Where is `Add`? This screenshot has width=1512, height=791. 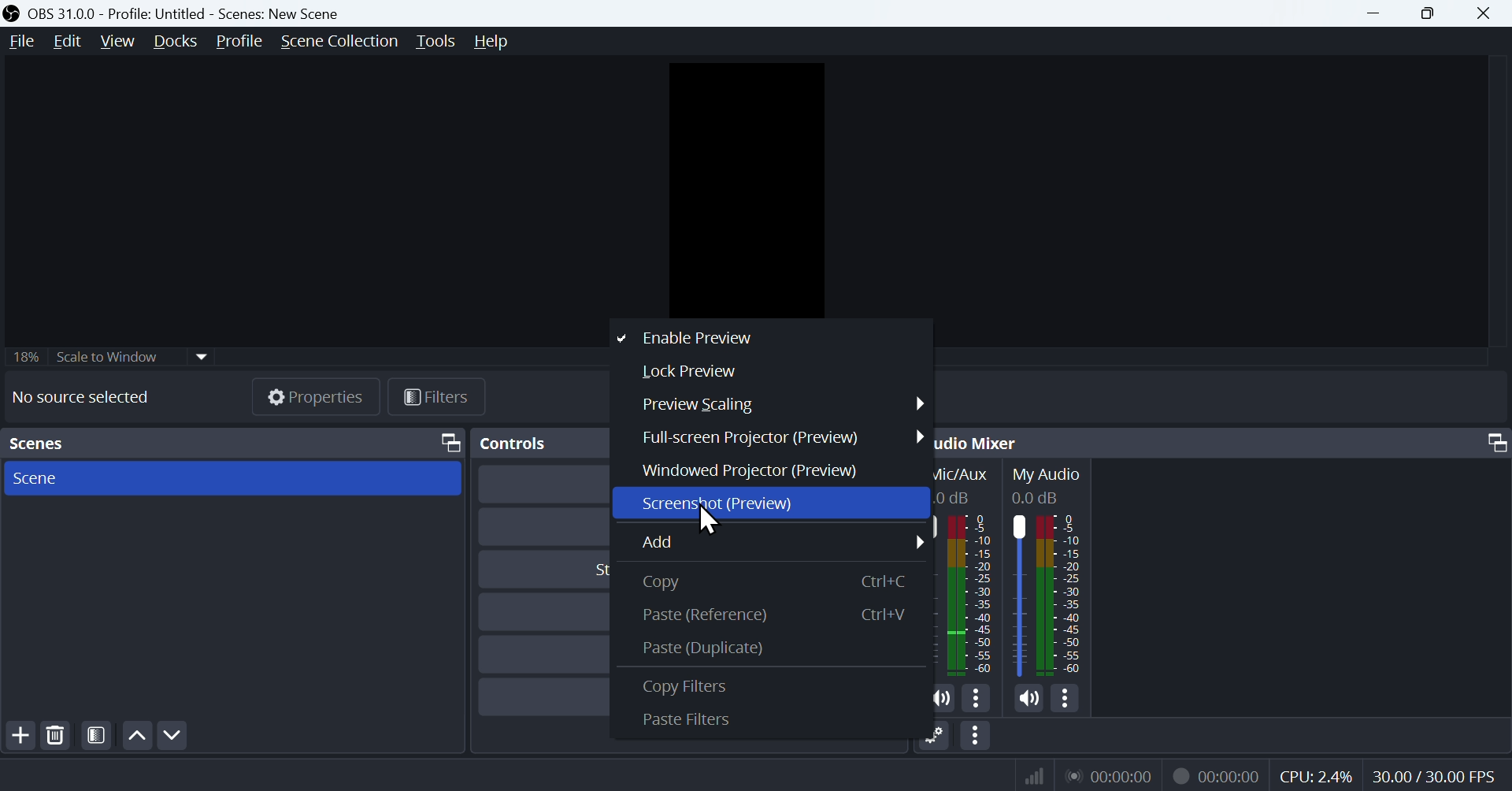 Add is located at coordinates (17, 733).